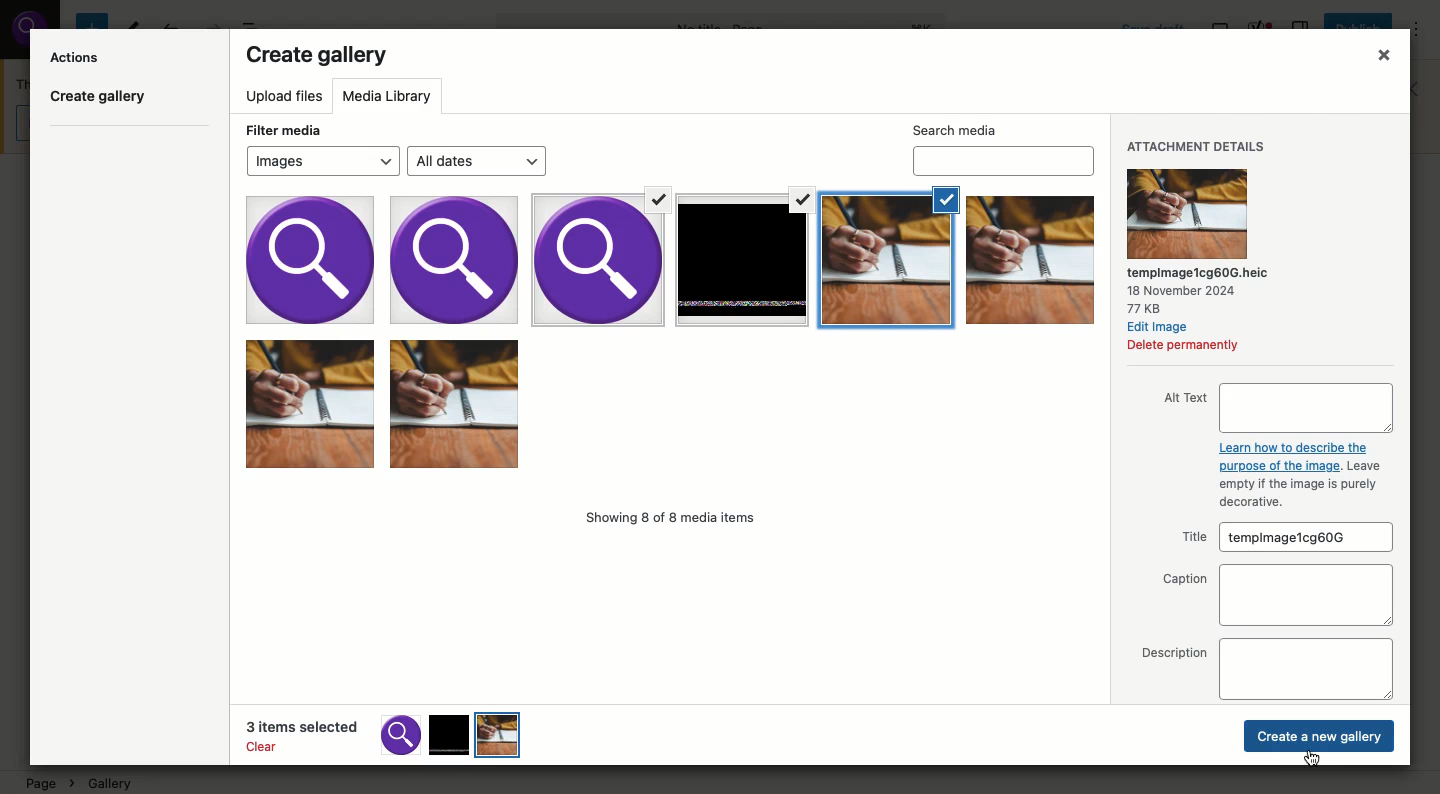  Describe the element at coordinates (1192, 307) in the screenshot. I see `3KB ` at that location.